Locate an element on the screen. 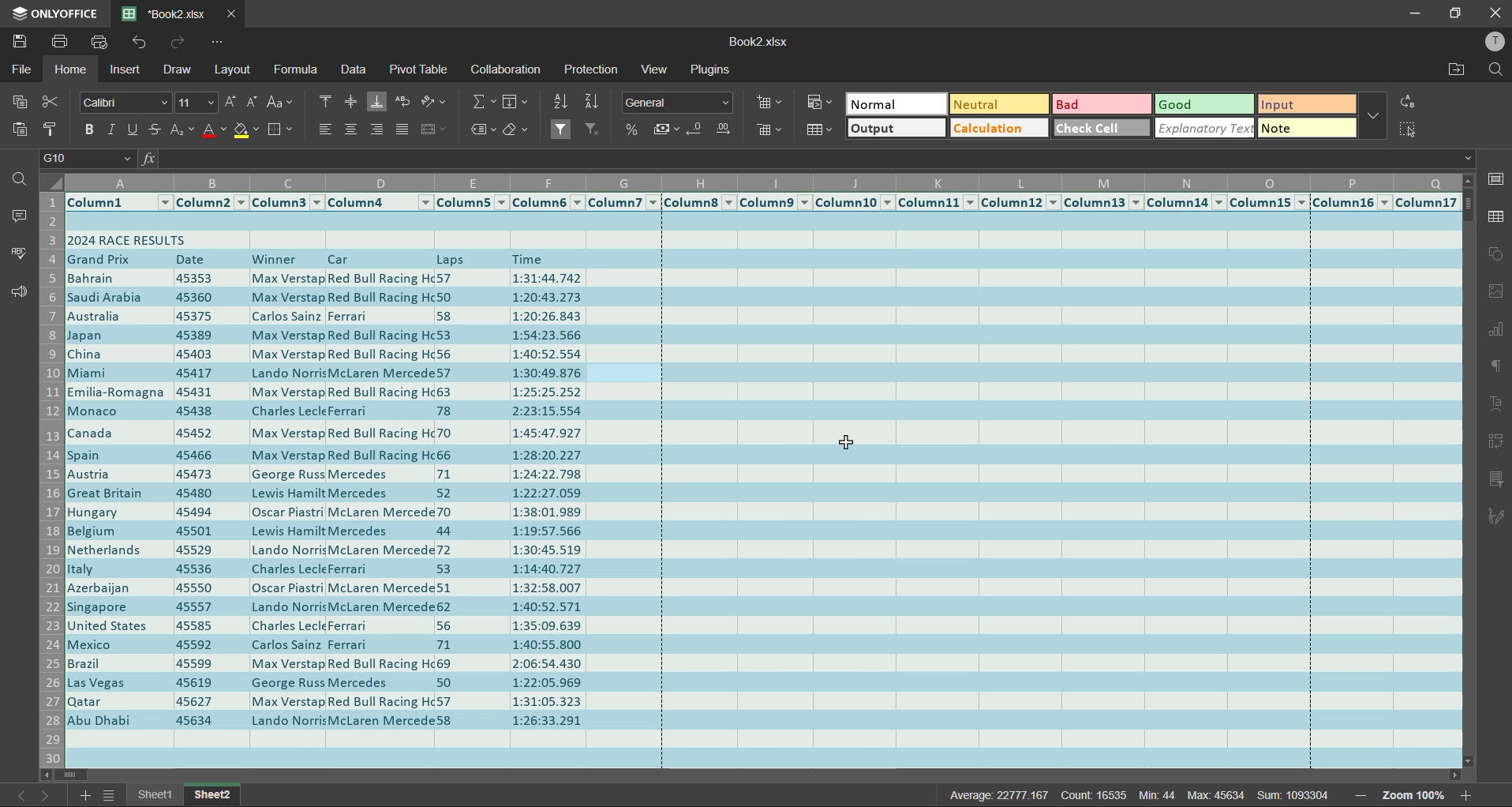 Image resolution: width=1512 pixels, height=807 pixels. increment size is located at coordinates (232, 102).